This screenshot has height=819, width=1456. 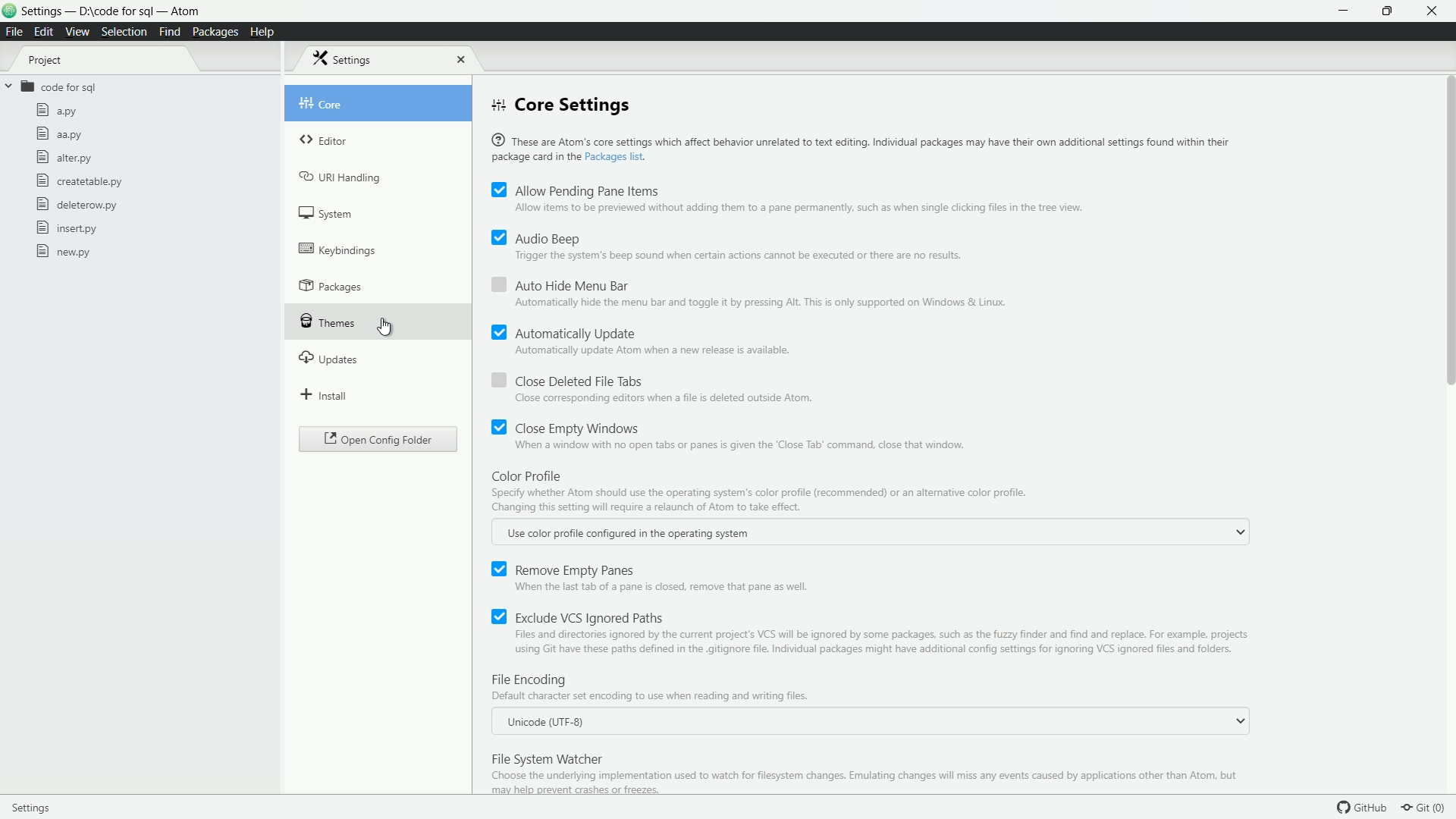 What do you see at coordinates (627, 535) in the screenshot?
I see `use color profile configured in the operating system` at bounding box center [627, 535].